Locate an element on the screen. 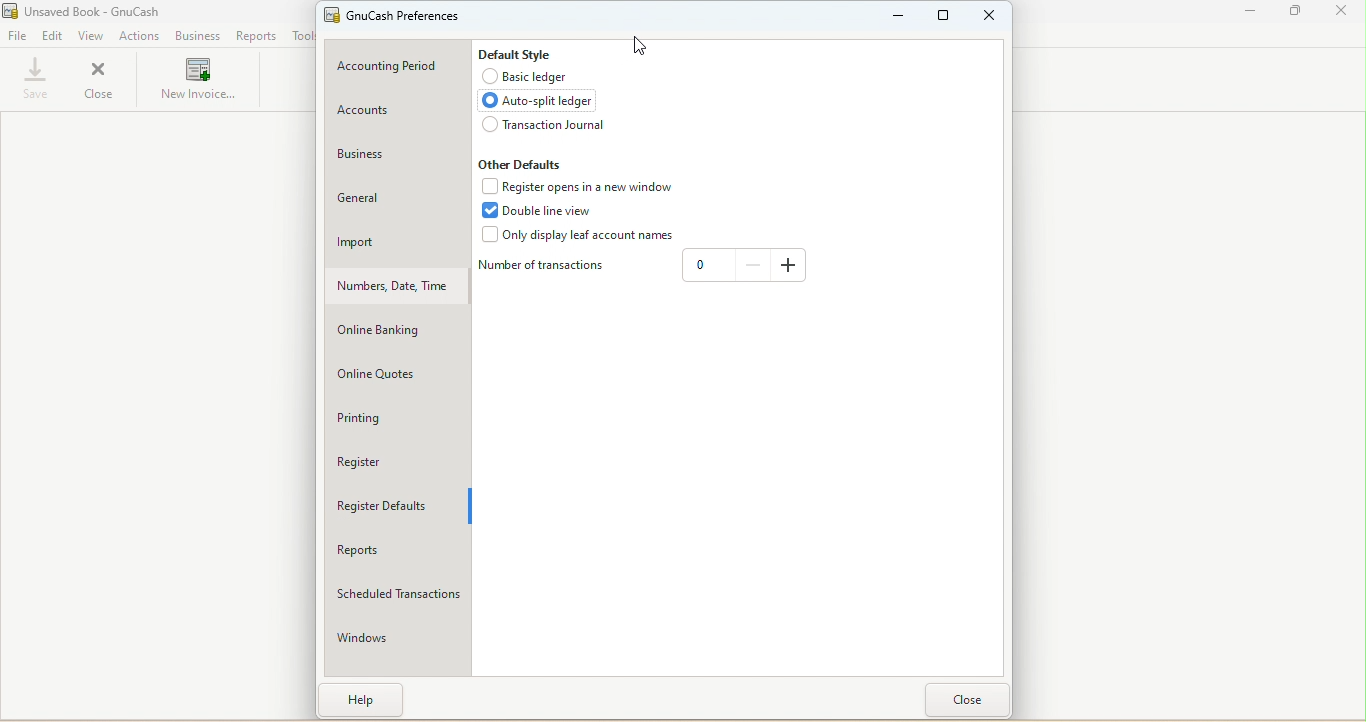 This screenshot has width=1366, height=722. New invoices is located at coordinates (197, 82).